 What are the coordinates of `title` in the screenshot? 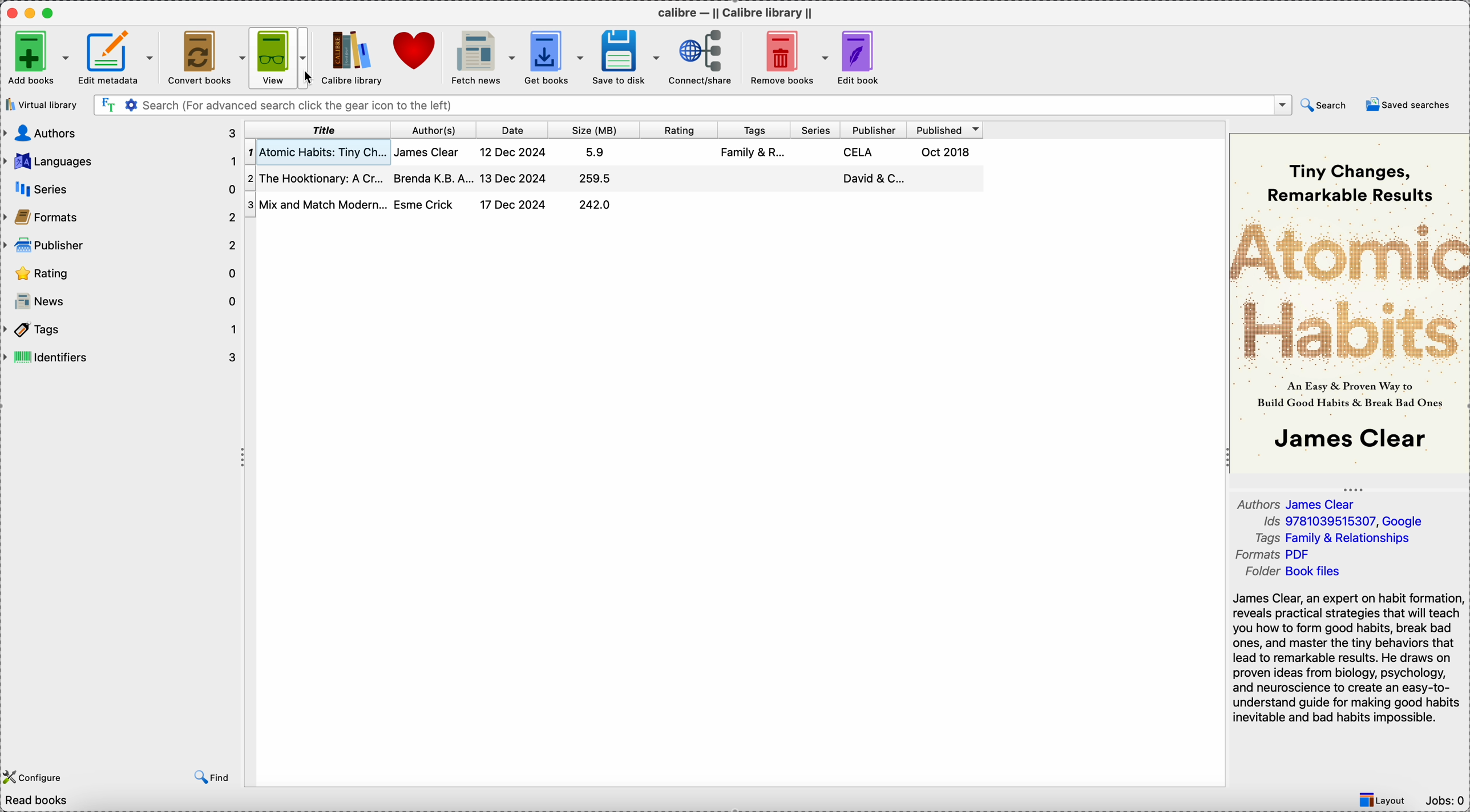 It's located at (318, 130).